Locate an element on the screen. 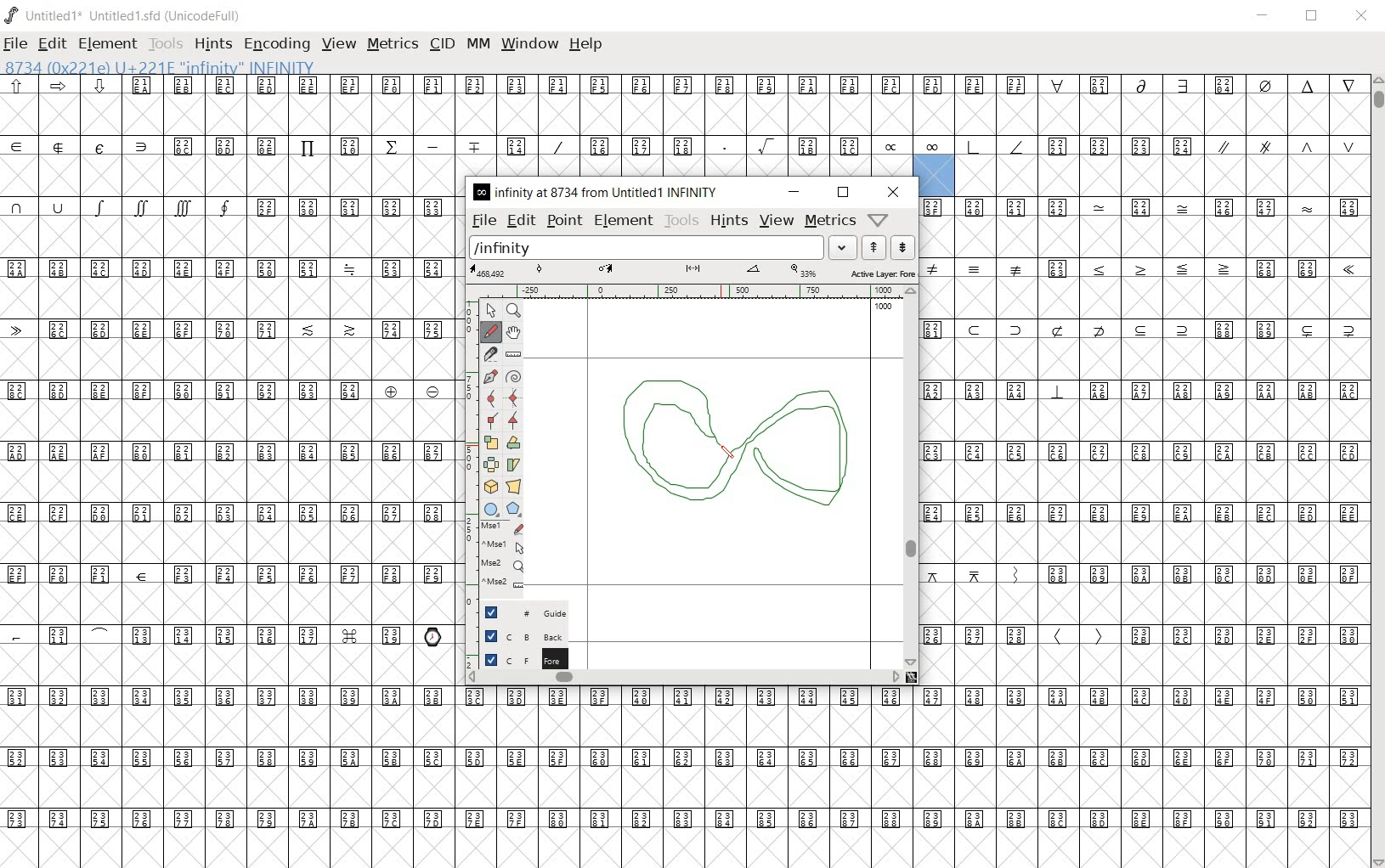 The image size is (1385, 868). tools is located at coordinates (681, 221).